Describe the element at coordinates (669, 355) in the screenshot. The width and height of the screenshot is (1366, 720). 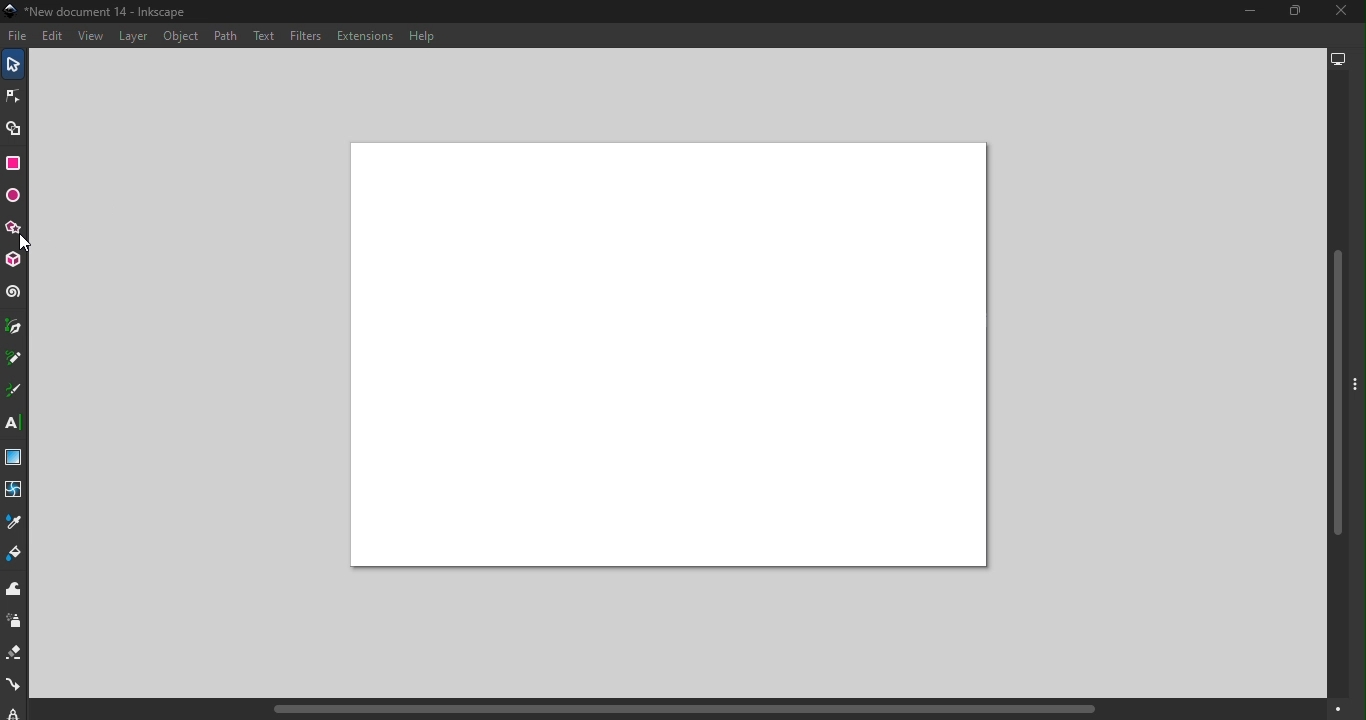
I see `Canvas` at that location.